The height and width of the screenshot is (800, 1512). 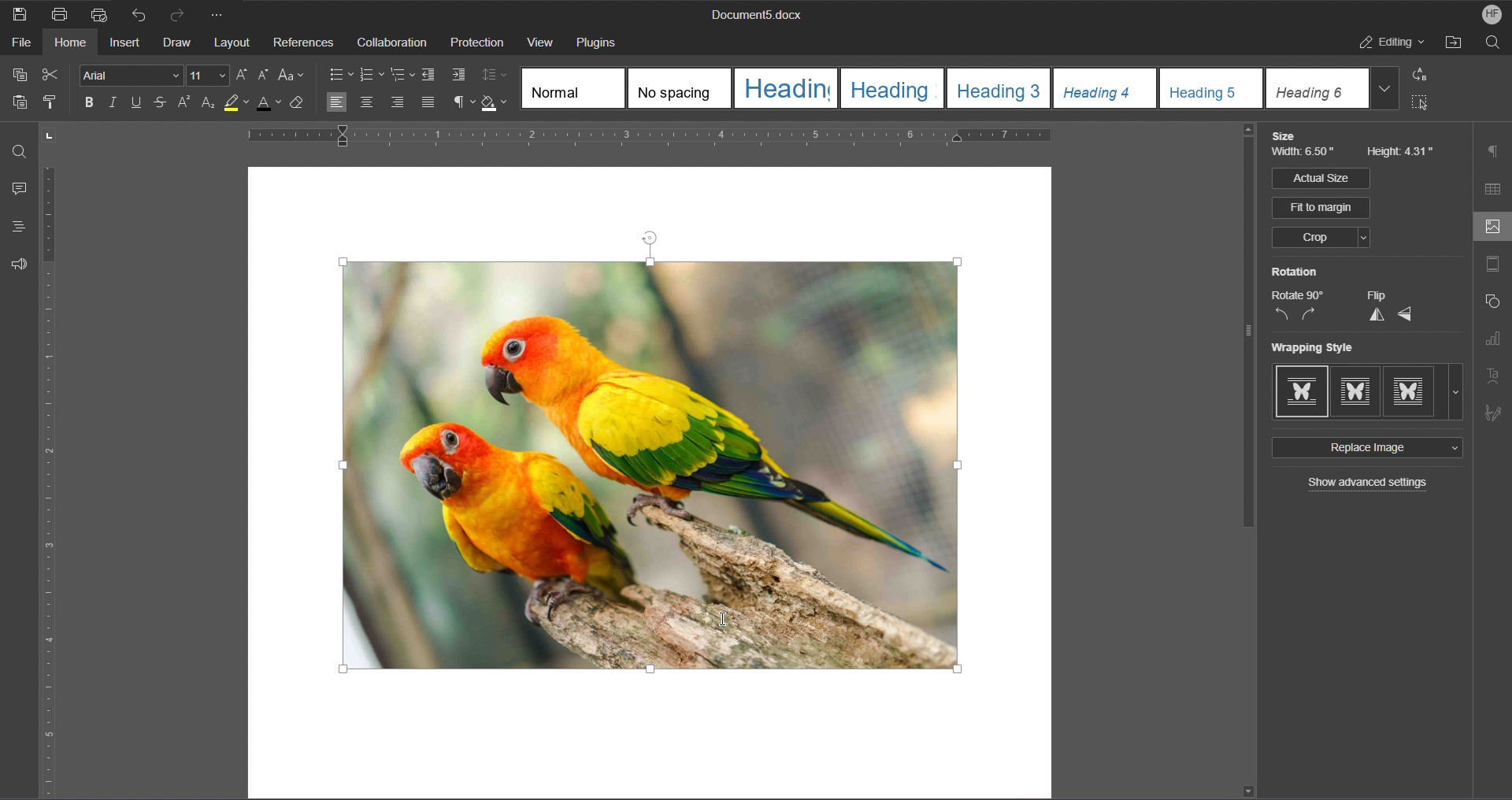 What do you see at coordinates (1376, 295) in the screenshot?
I see `Flip` at bounding box center [1376, 295].